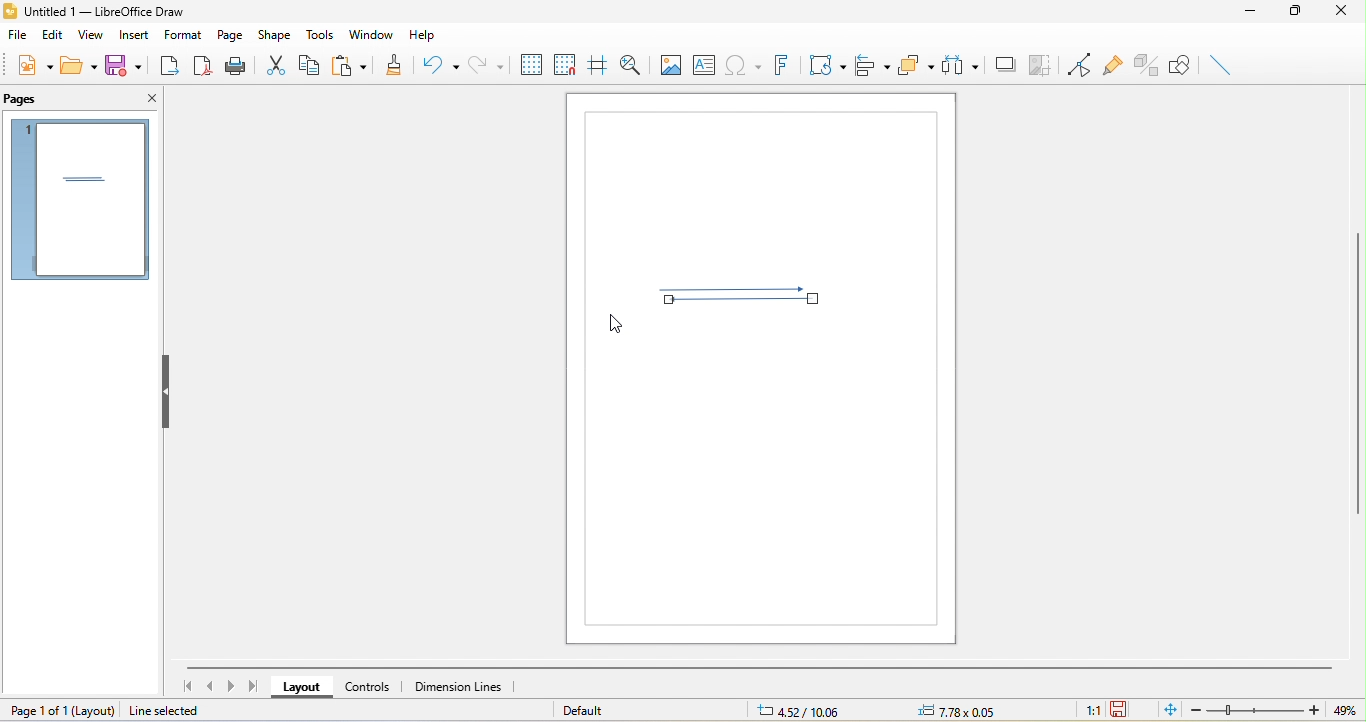 Image resolution: width=1366 pixels, height=722 pixels. What do you see at coordinates (917, 67) in the screenshot?
I see `arrange` at bounding box center [917, 67].